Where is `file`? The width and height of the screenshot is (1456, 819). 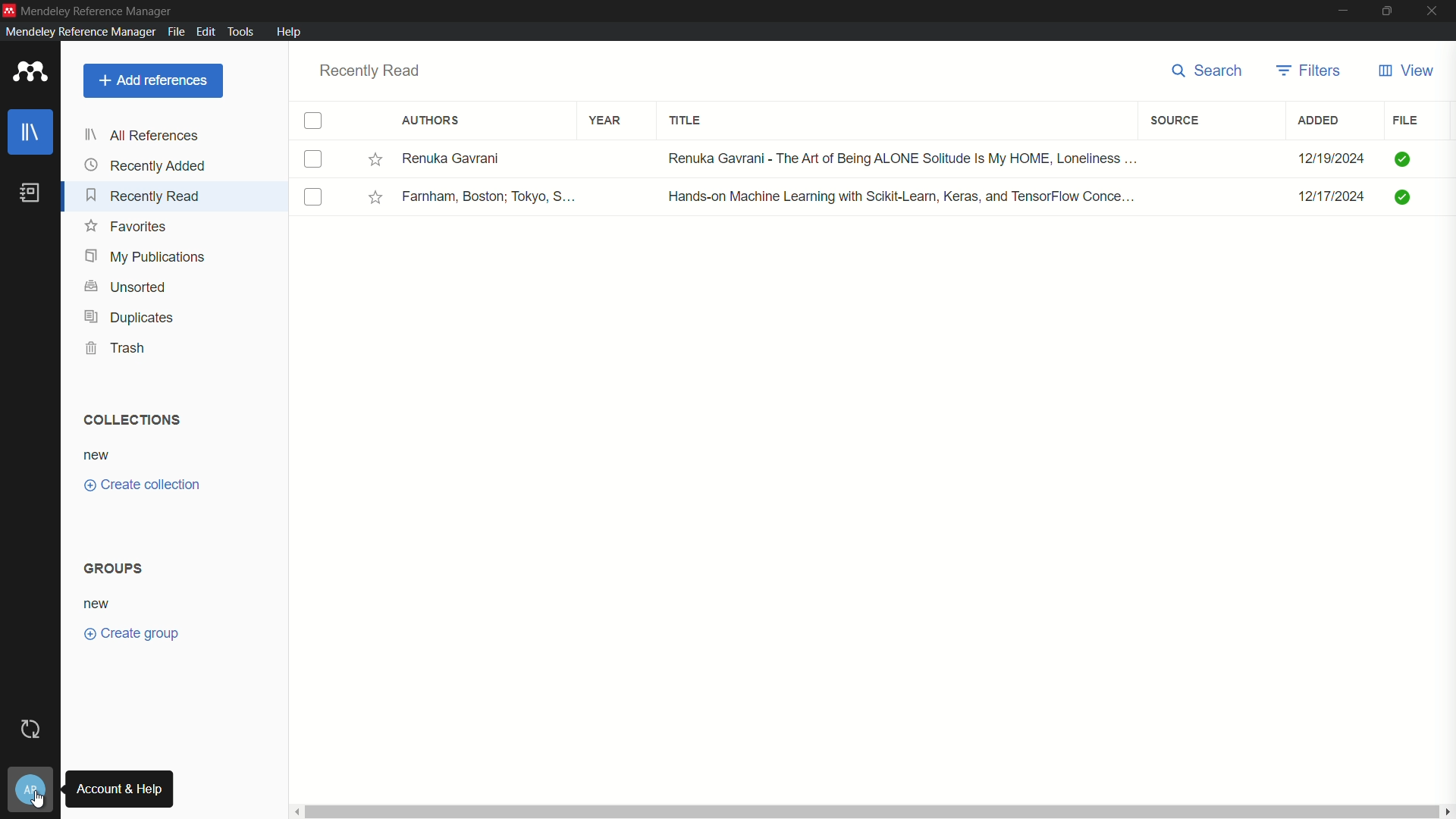
file is located at coordinates (1405, 121).